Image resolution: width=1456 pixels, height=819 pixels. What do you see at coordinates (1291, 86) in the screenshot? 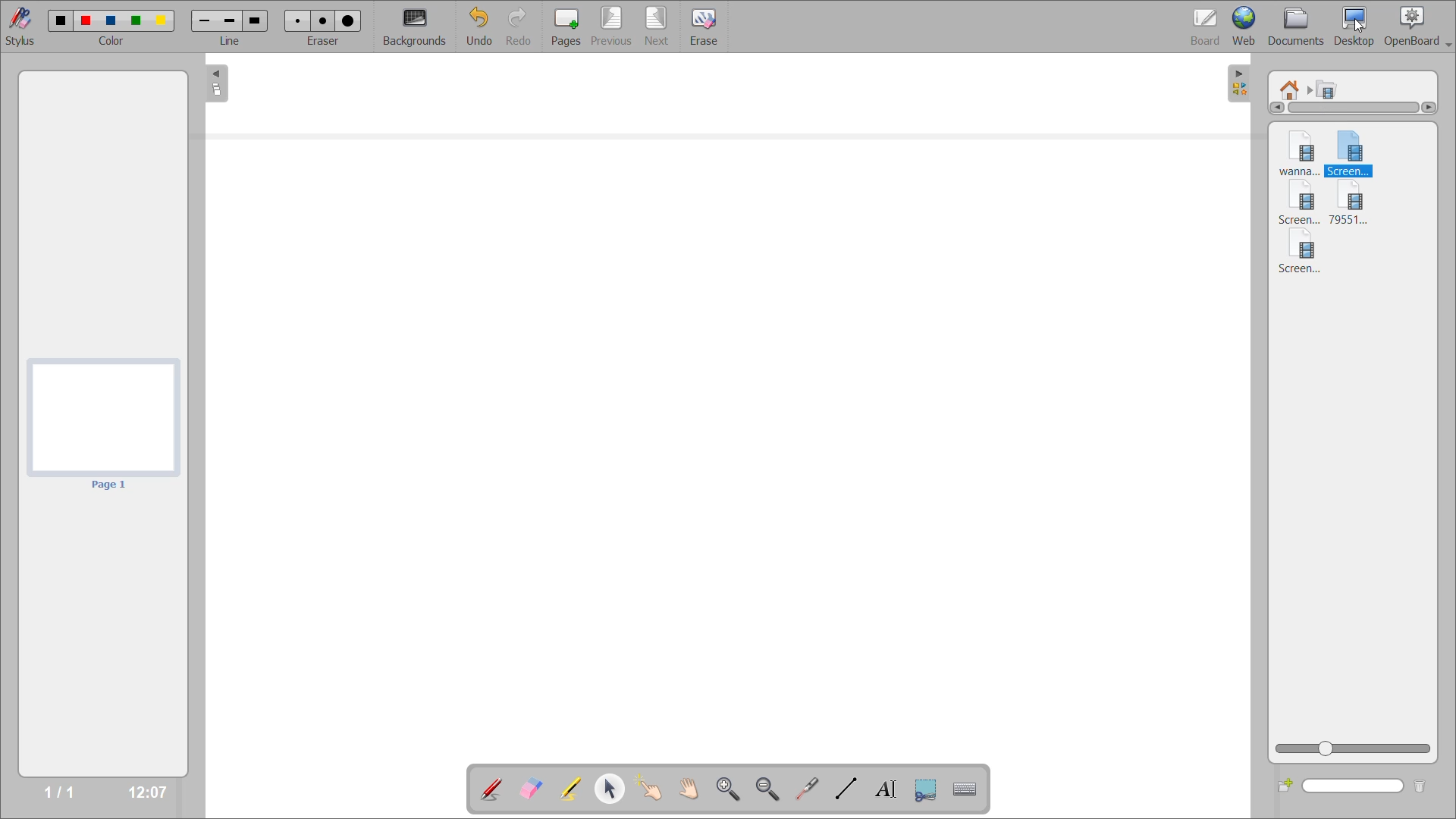
I see `root` at bounding box center [1291, 86].